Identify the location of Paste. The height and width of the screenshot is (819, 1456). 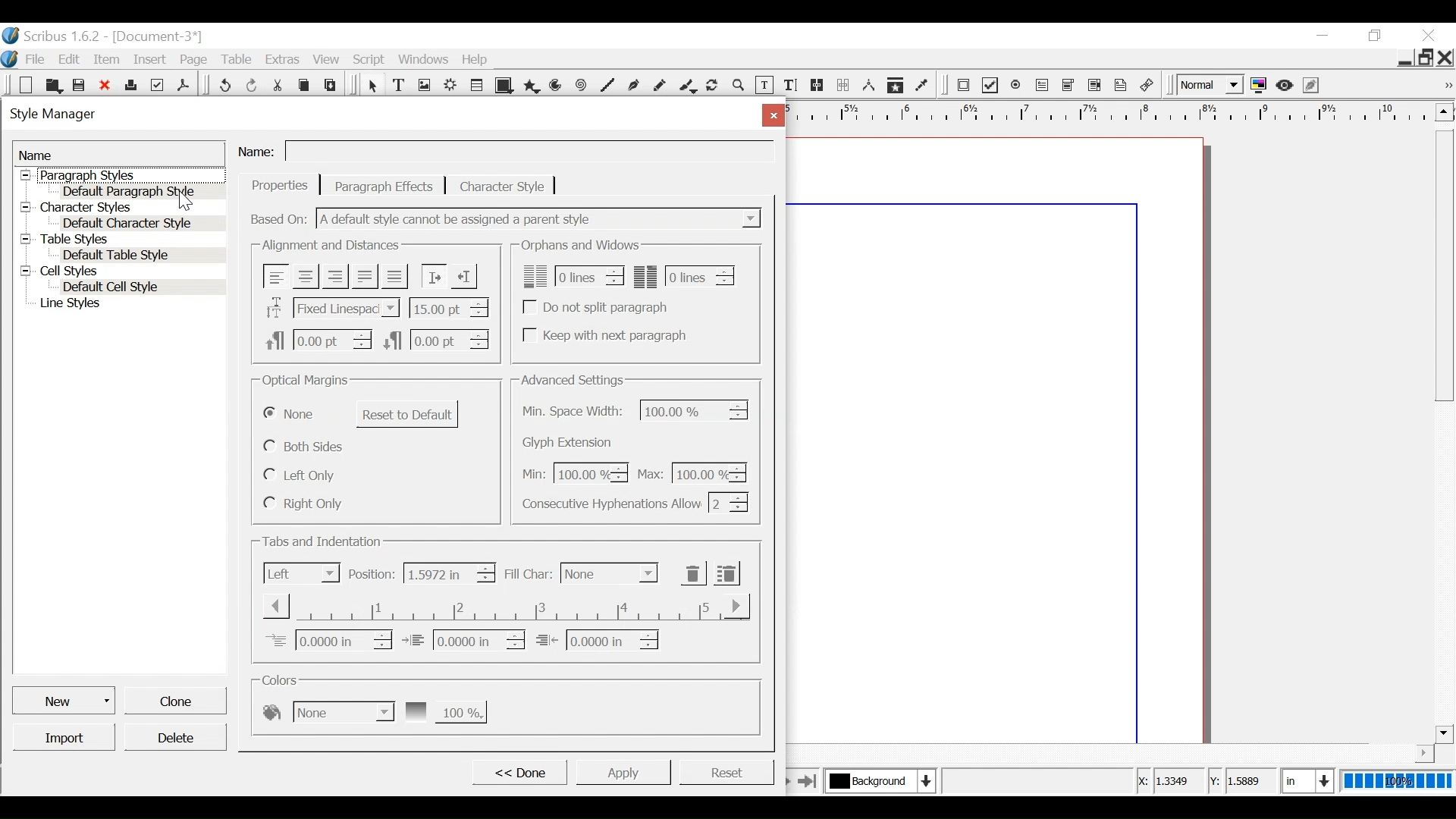
(333, 84).